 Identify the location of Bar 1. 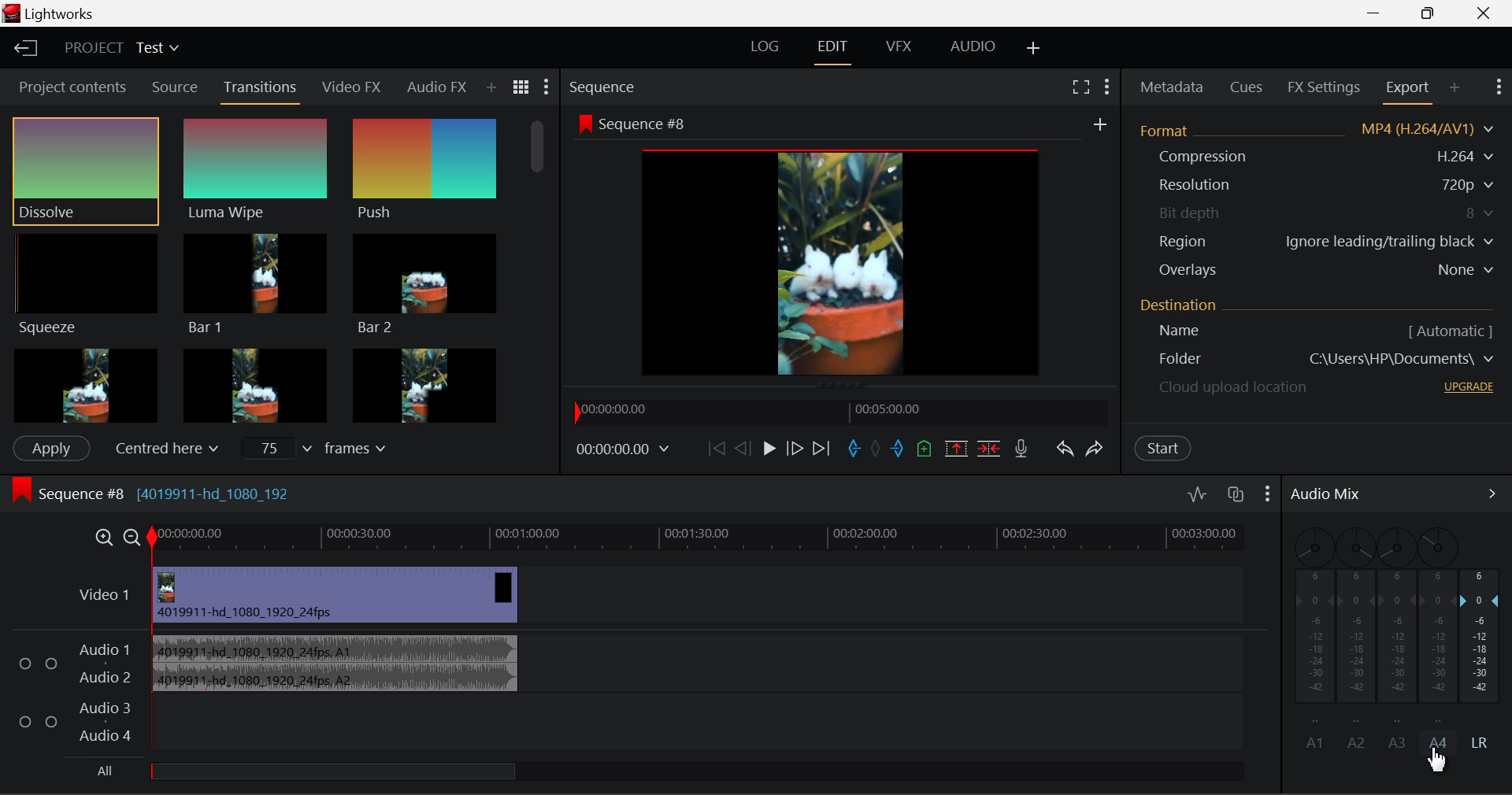
(256, 284).